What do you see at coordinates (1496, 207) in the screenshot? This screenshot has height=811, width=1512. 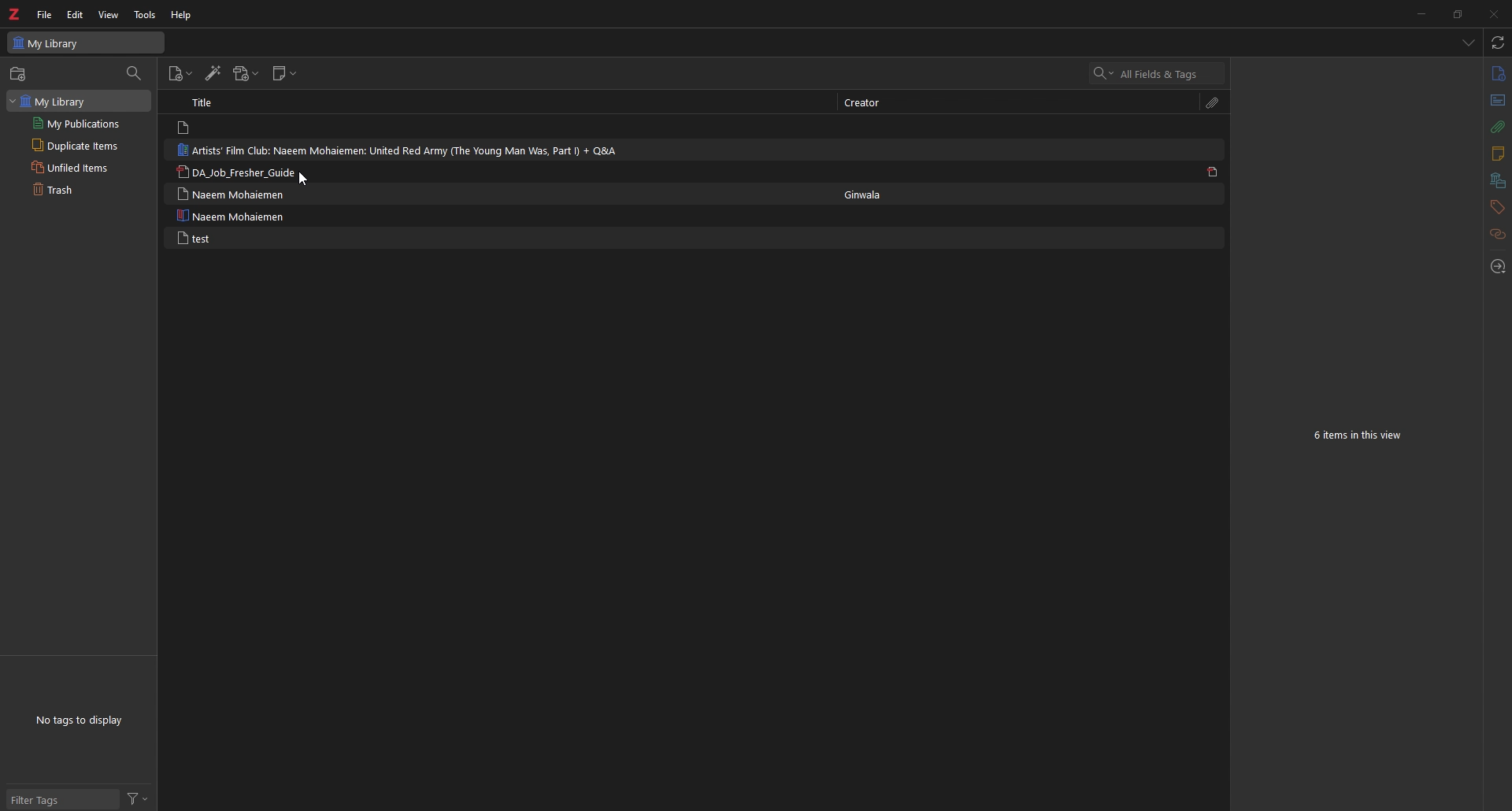 I see `tags` at bounding box center [1496, 207].